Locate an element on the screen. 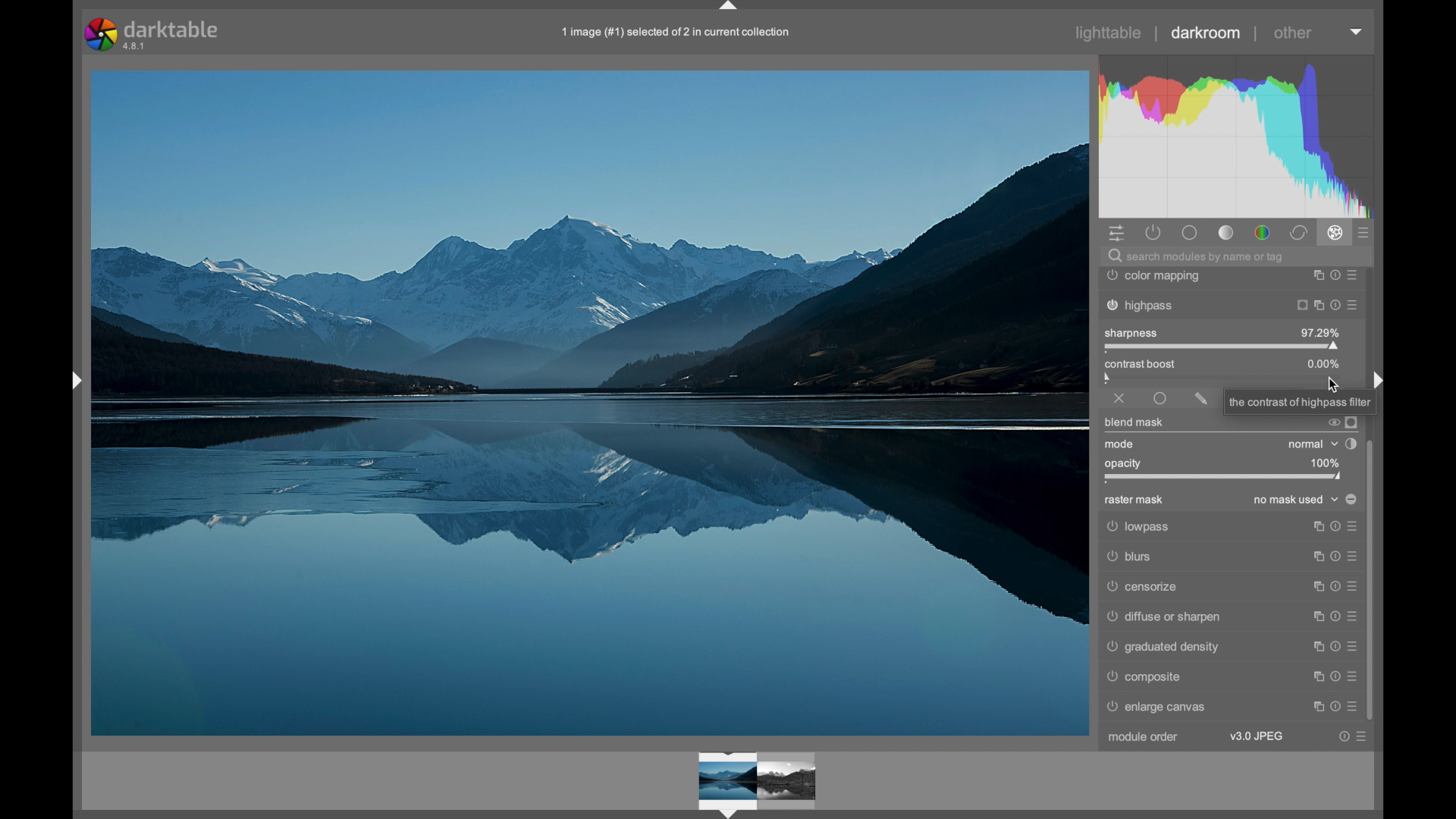  darkroom is located at coordinates (1206, 33).